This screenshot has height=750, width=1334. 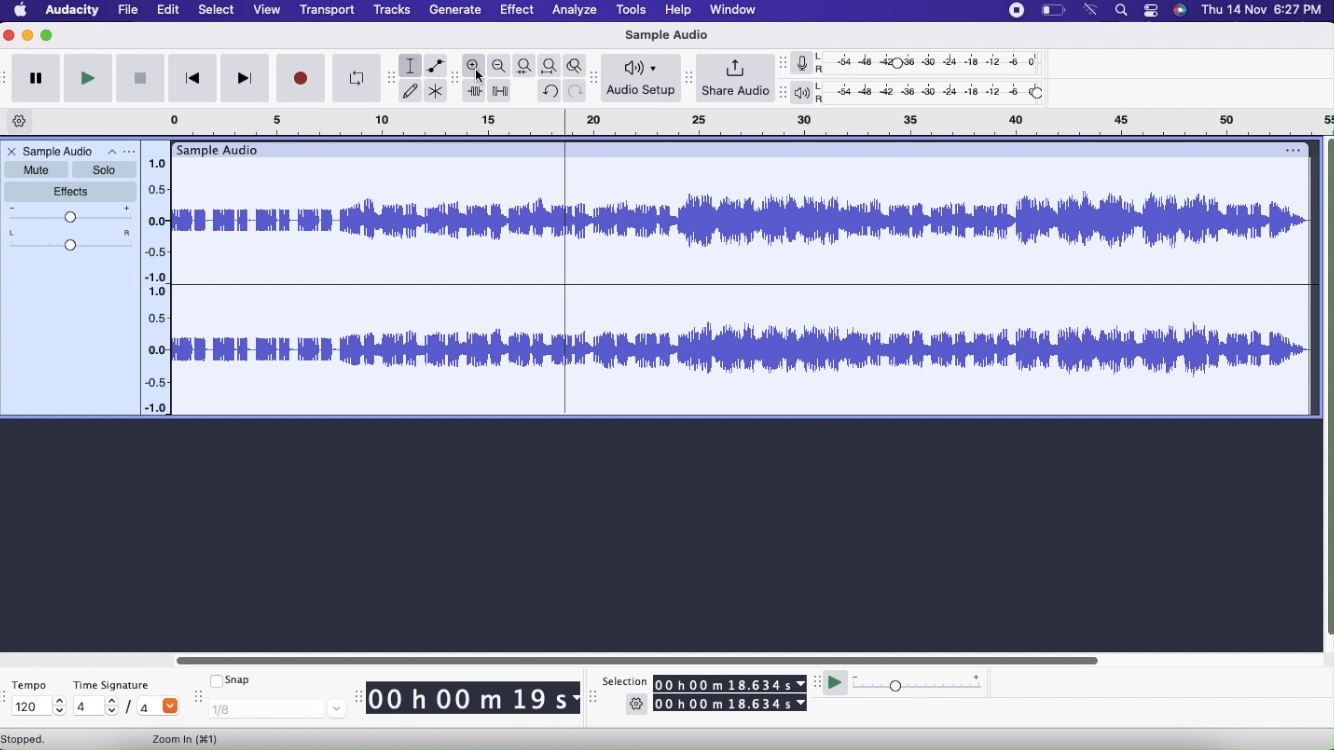 What do you see at coordinates (474, 90) in the screenshot?
I see `Trim audio outside selection` at bounding box center [474, 90].